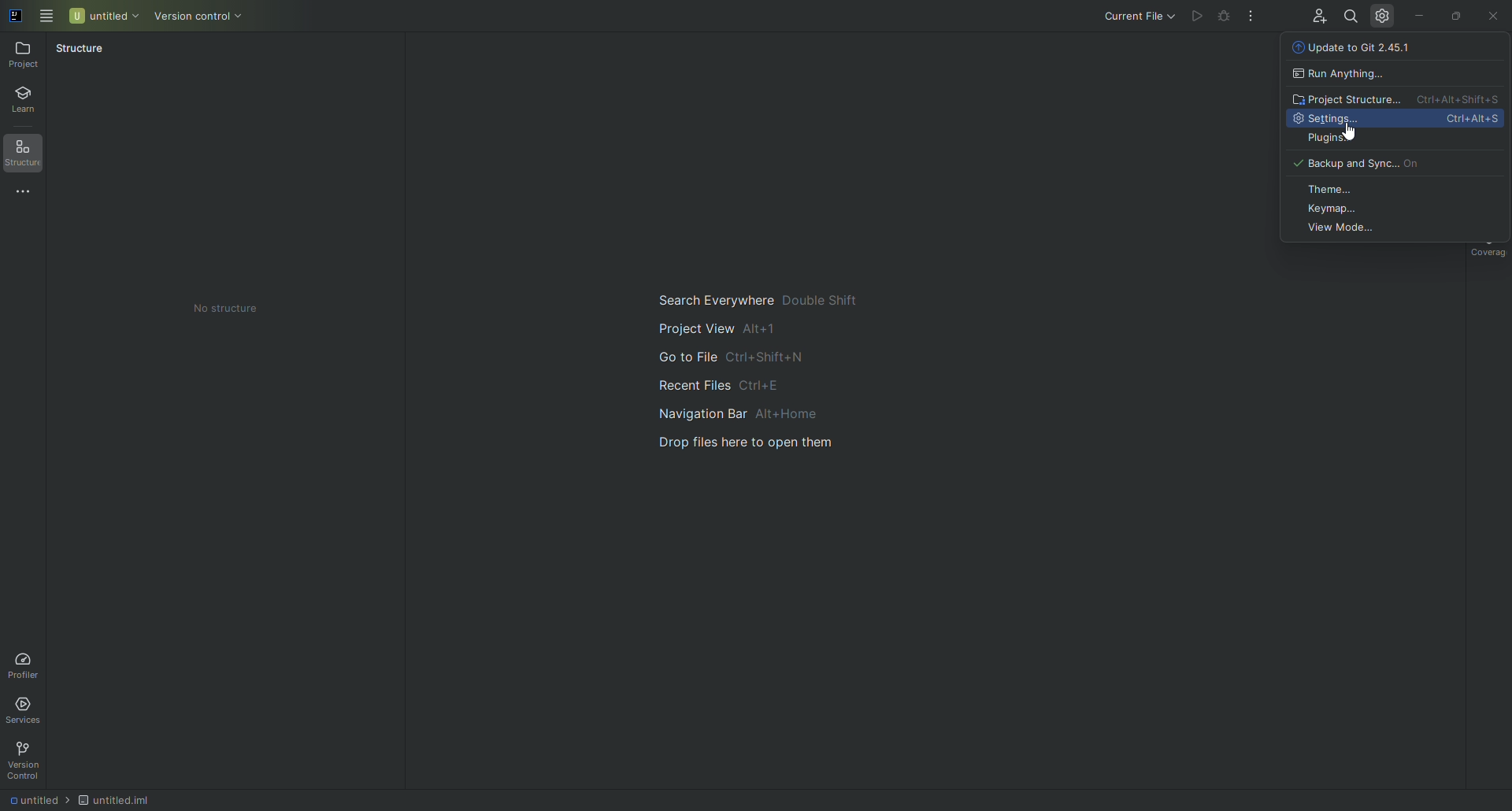 The width and height of the screenshot is (1512, 811). What do you see at coordinates (1354, 43) in the screenshot?
I see `Update` at bounding box center [1354, 43].